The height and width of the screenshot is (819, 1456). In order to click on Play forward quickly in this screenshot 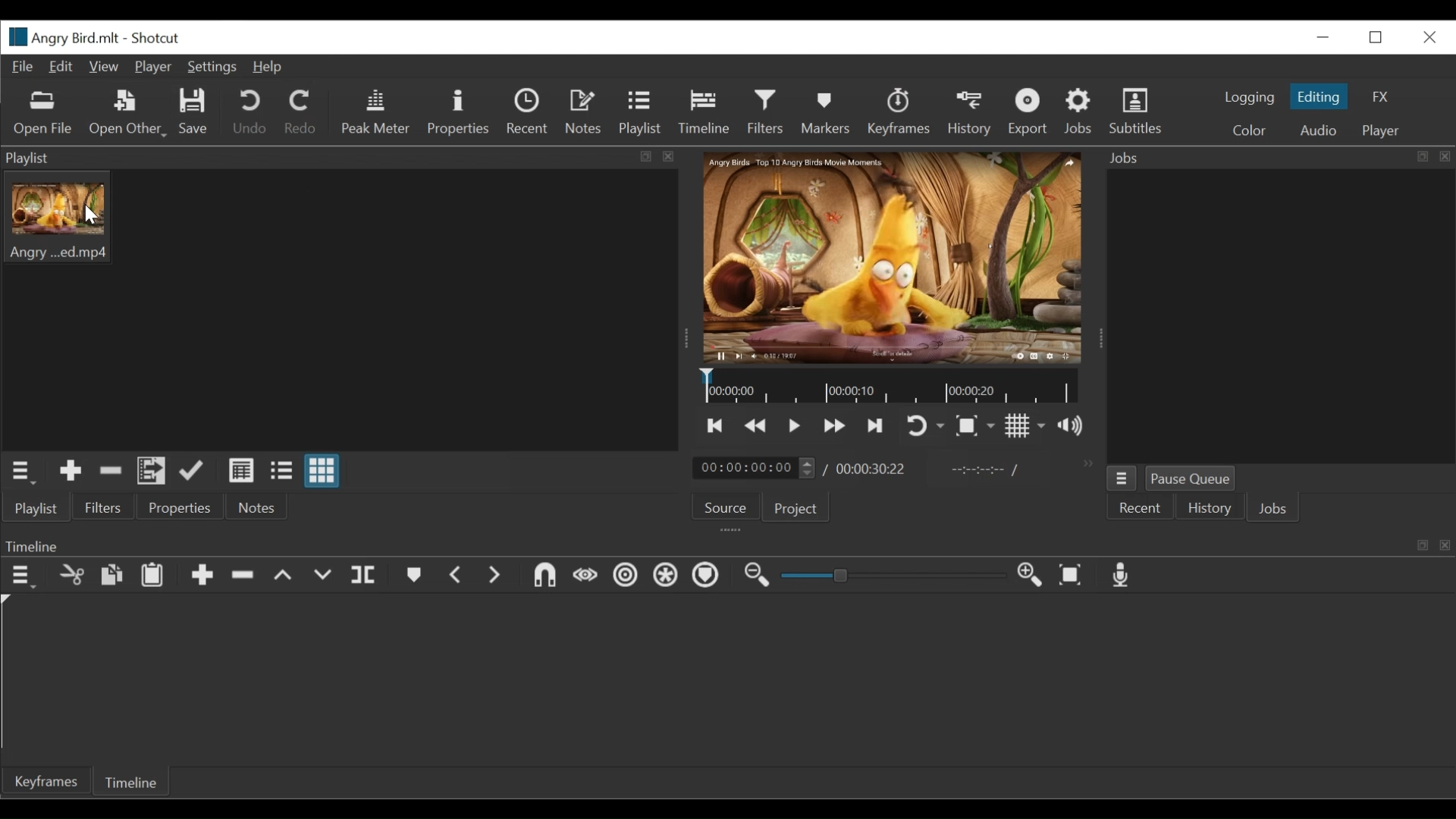, I will do `click(834, 425)`.